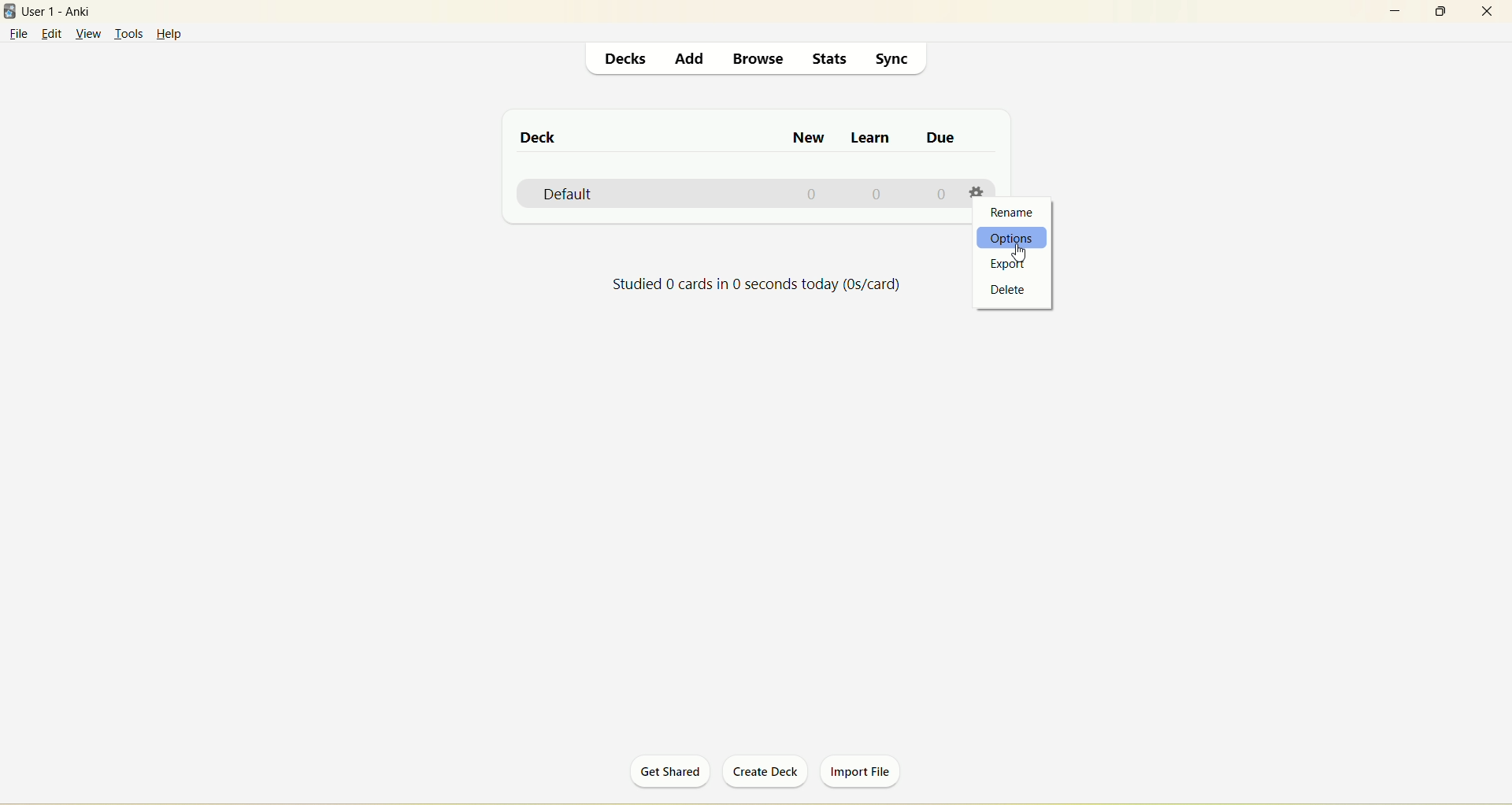 This screenshot has height=805, width=1512. What do you see at coordinates (939, 137) in the screenshot?
I see `due` at bounding box center [939, 137].